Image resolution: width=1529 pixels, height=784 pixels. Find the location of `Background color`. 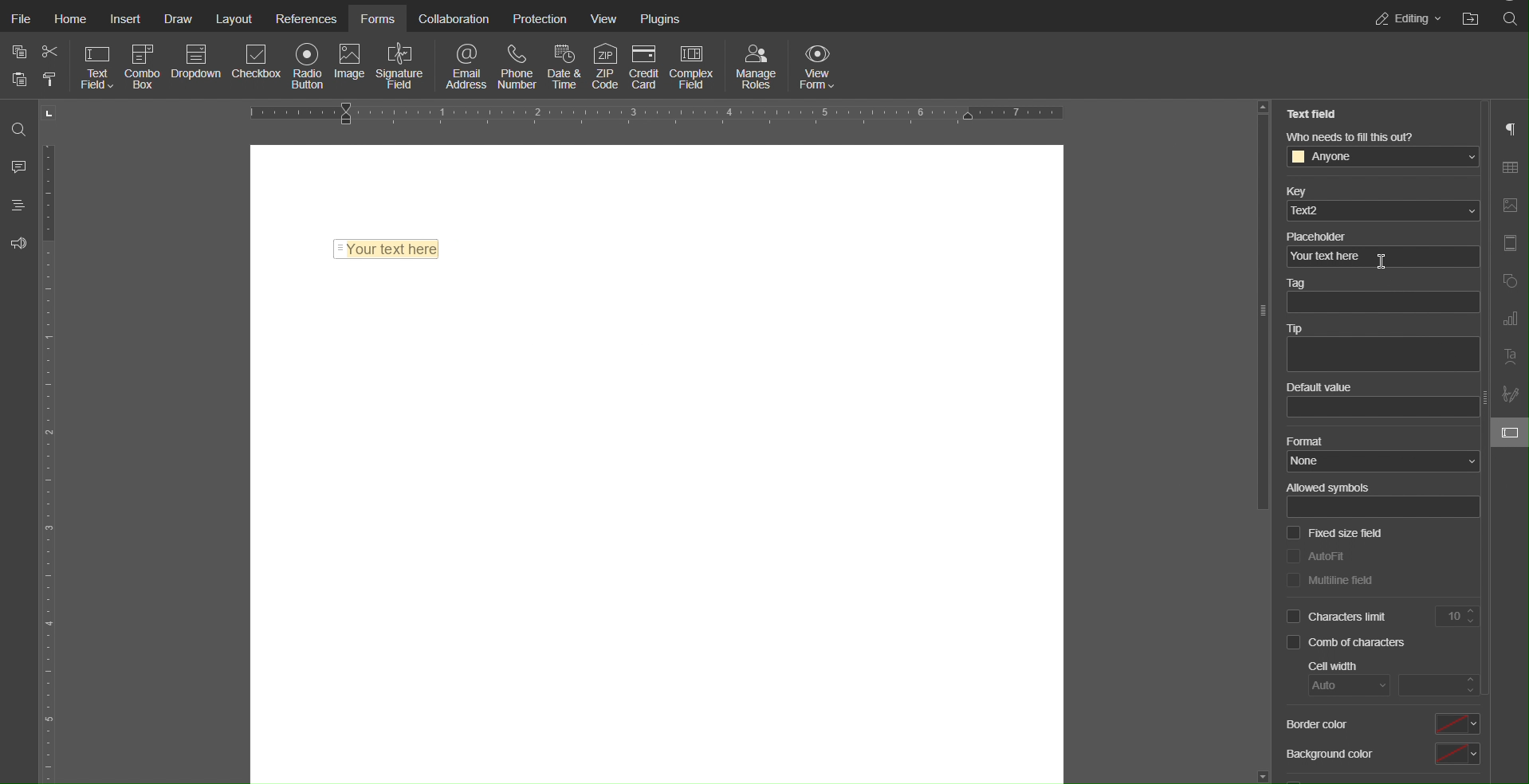

Background color is located at coordinates (1383, 753).